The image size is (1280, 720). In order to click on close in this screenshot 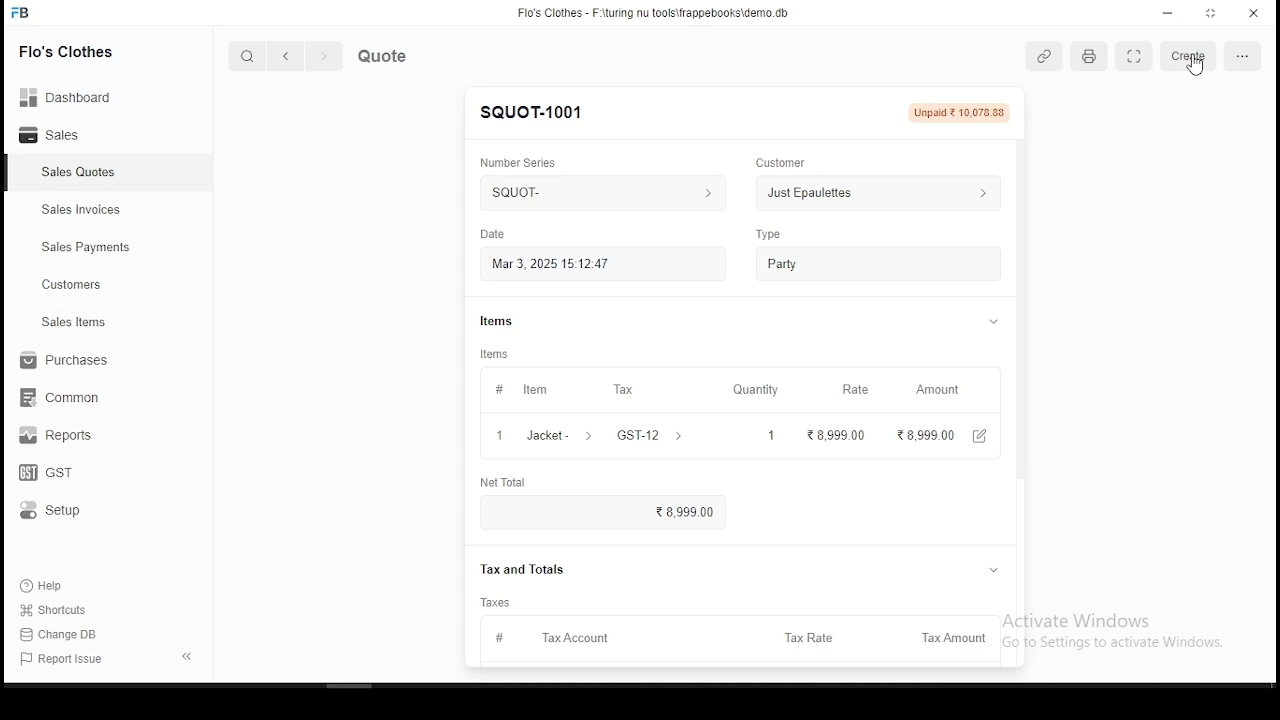, I will do `click(1254, 12)`.